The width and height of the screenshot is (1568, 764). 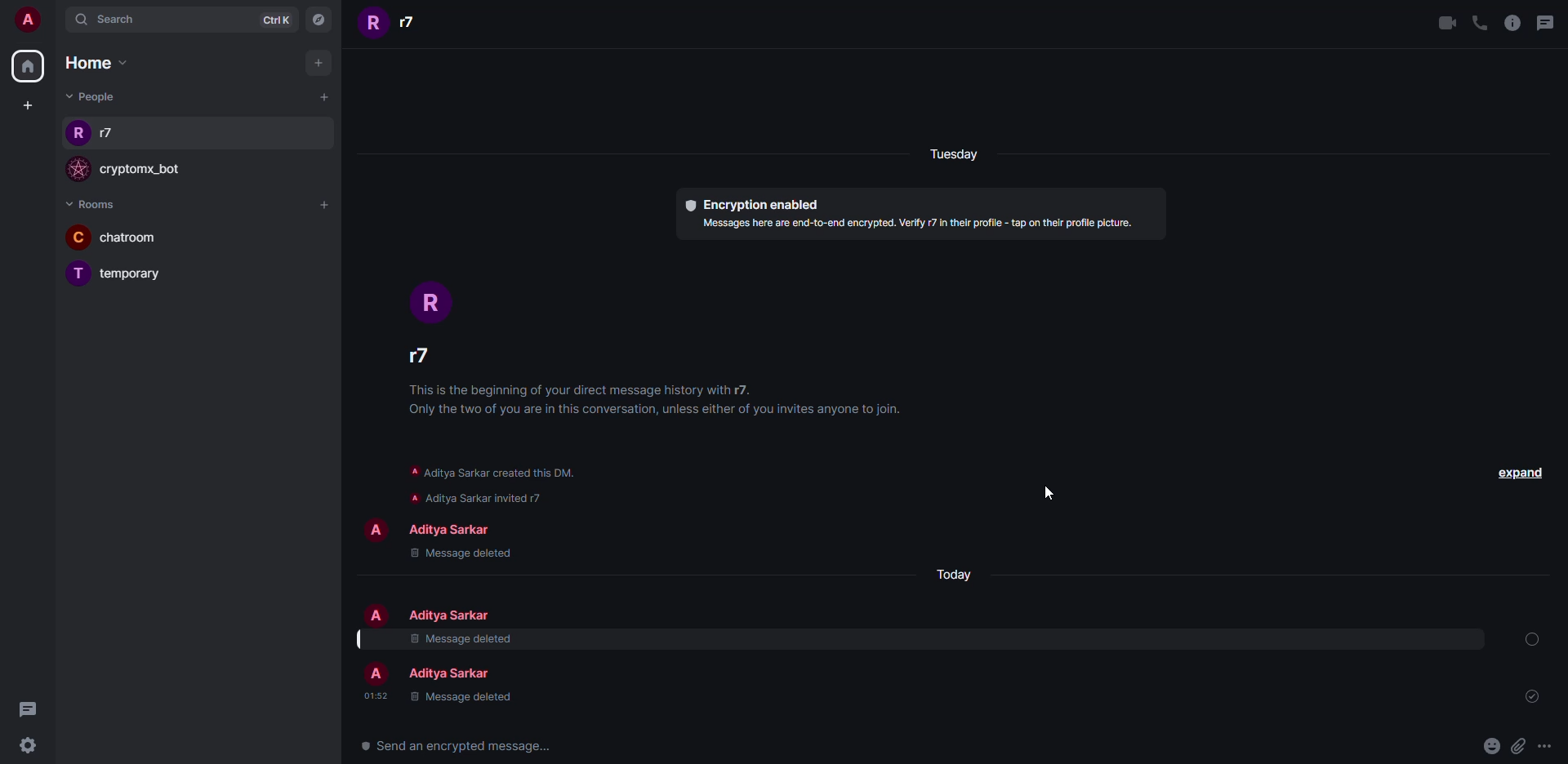 I want to click on profile, so click(x=374, y=24).